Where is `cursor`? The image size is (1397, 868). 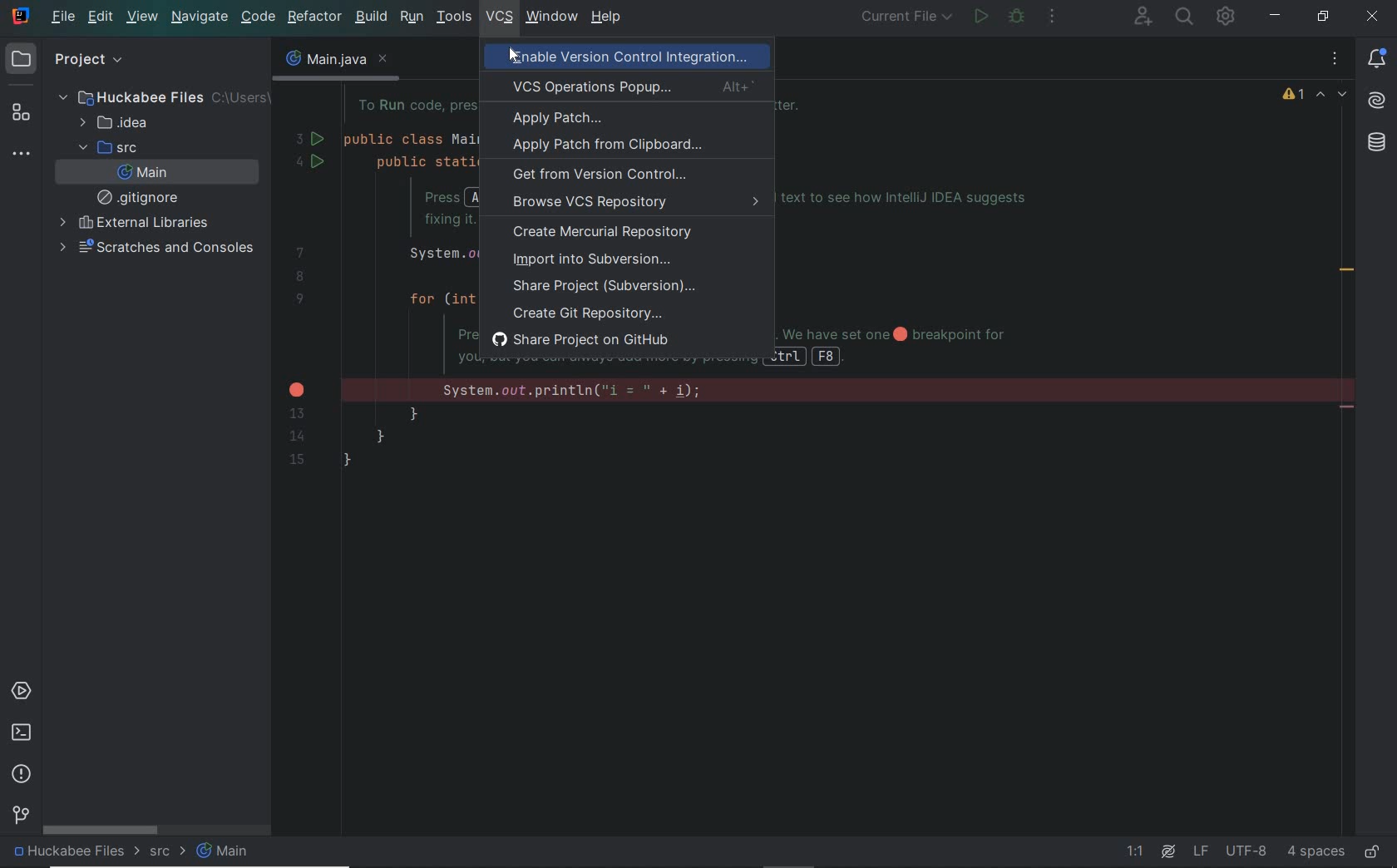 cursor is located at coordinates (508, 57).